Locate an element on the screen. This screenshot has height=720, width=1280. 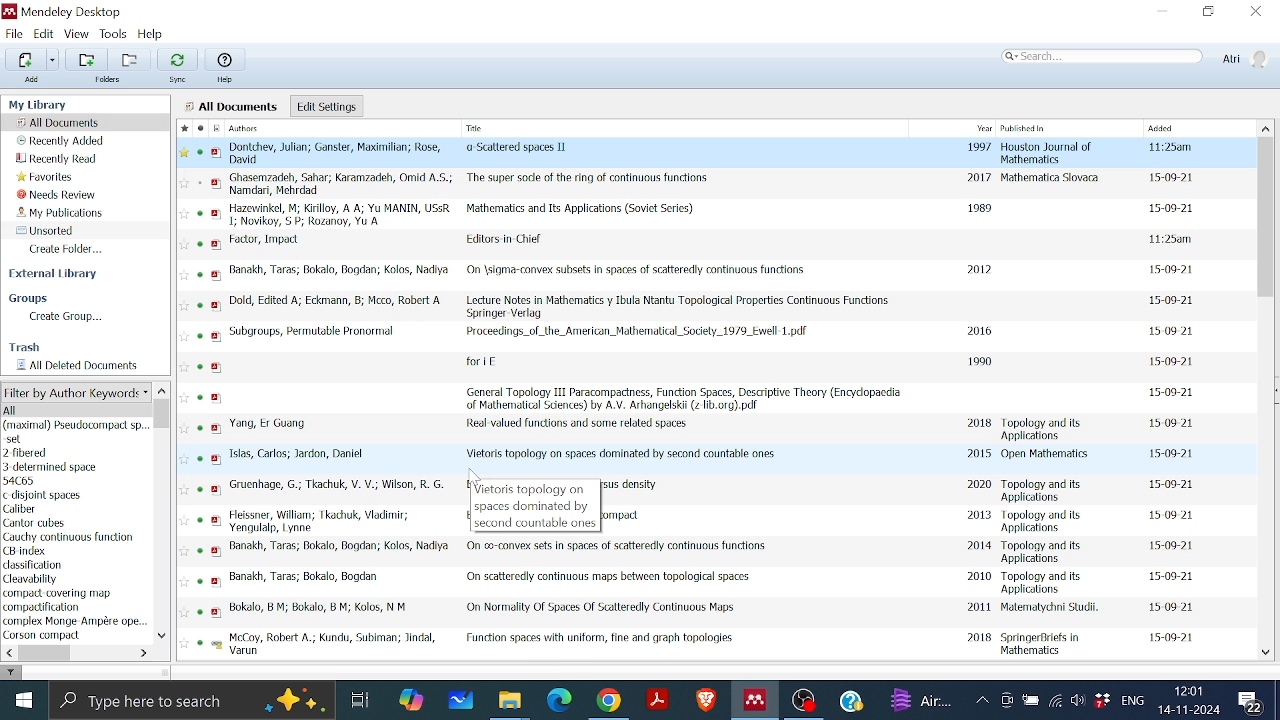
read status is located at coordinates (200, 398).